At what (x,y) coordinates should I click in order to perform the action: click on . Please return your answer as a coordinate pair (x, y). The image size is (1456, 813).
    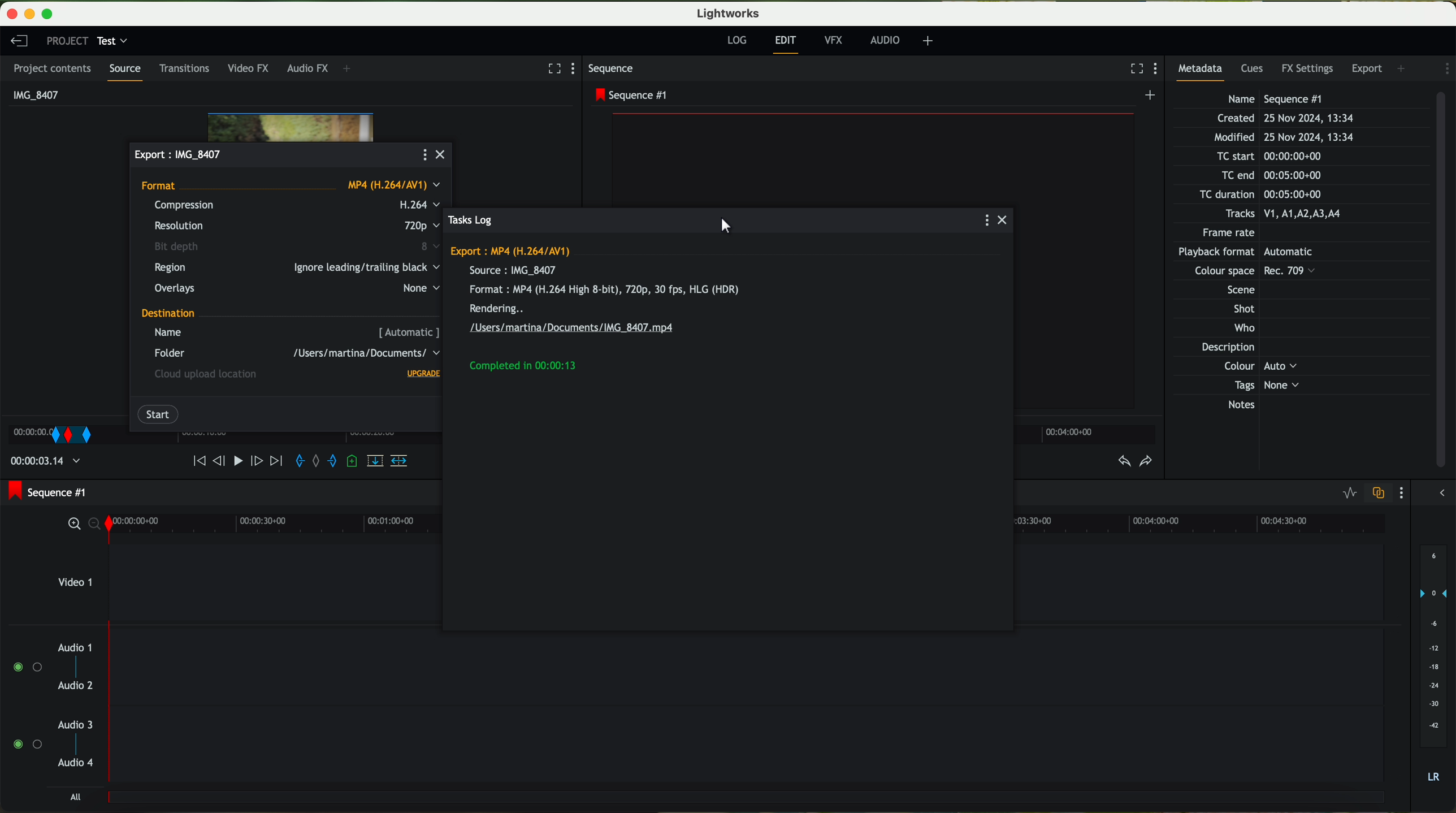
    Looking at the image, I should click on (1236, 288).